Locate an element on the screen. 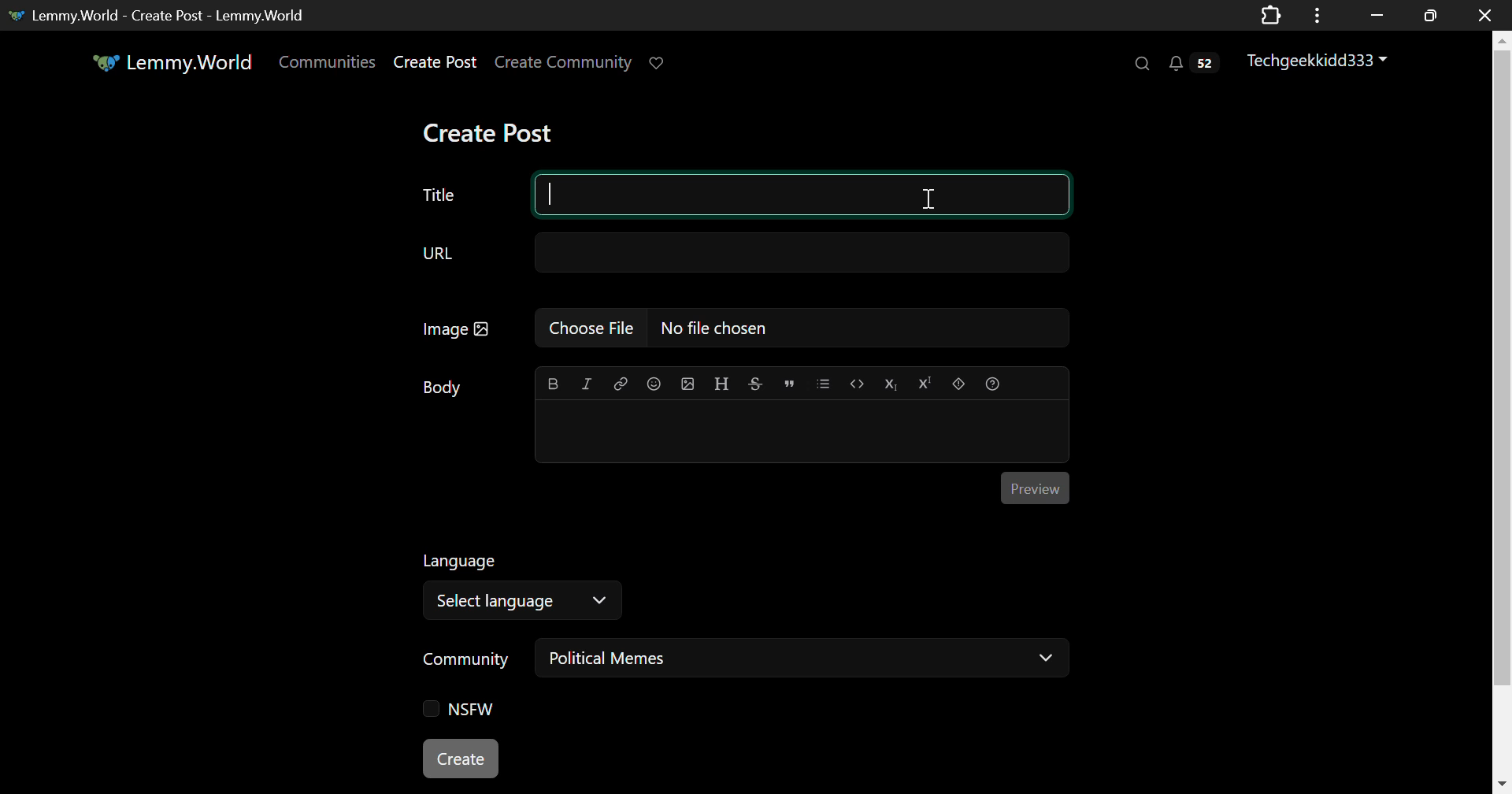  Notifications is located at coordinates (1197, 65).